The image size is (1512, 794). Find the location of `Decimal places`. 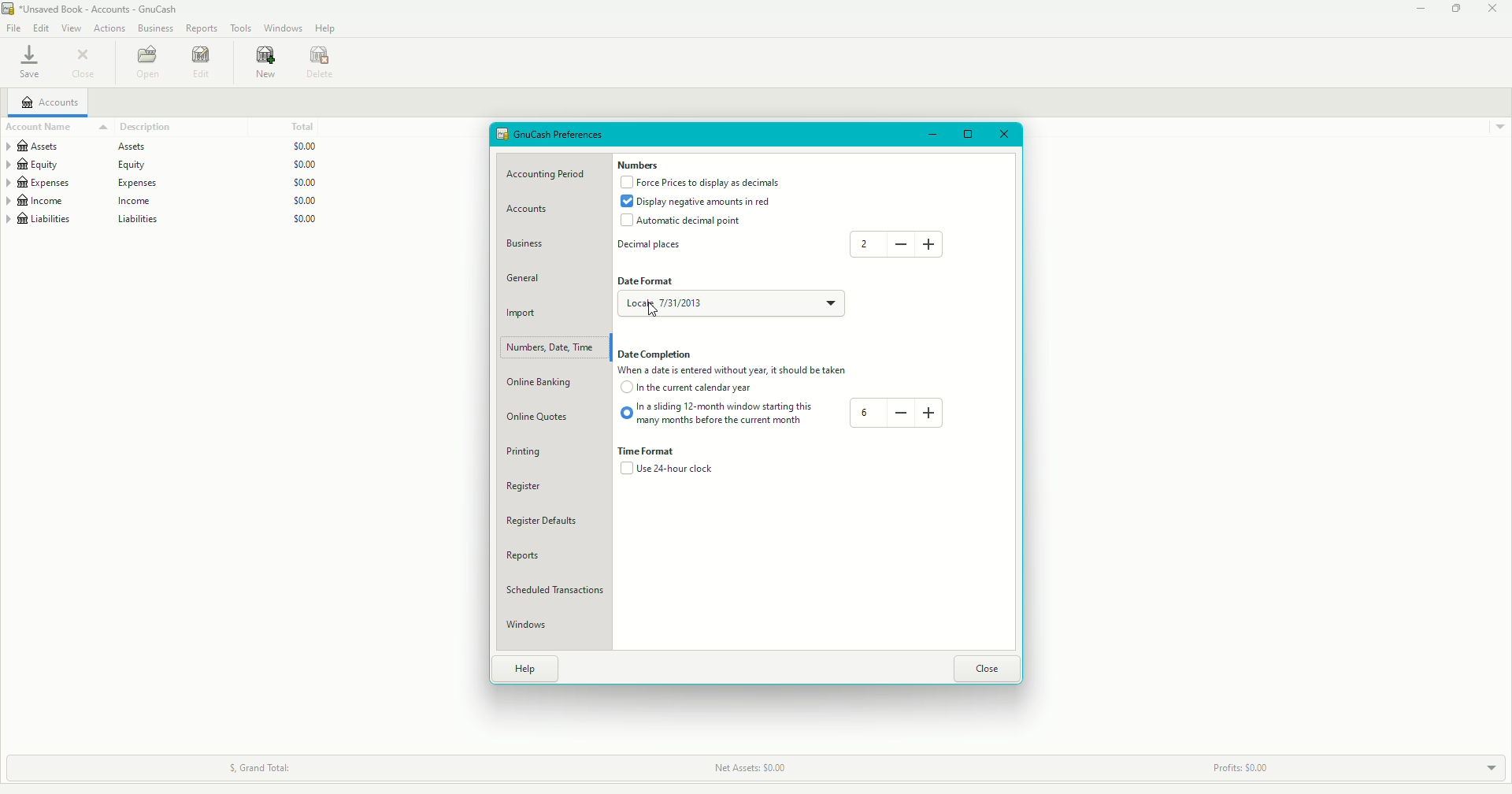

Decimal places is located at coordinates (650, 247).